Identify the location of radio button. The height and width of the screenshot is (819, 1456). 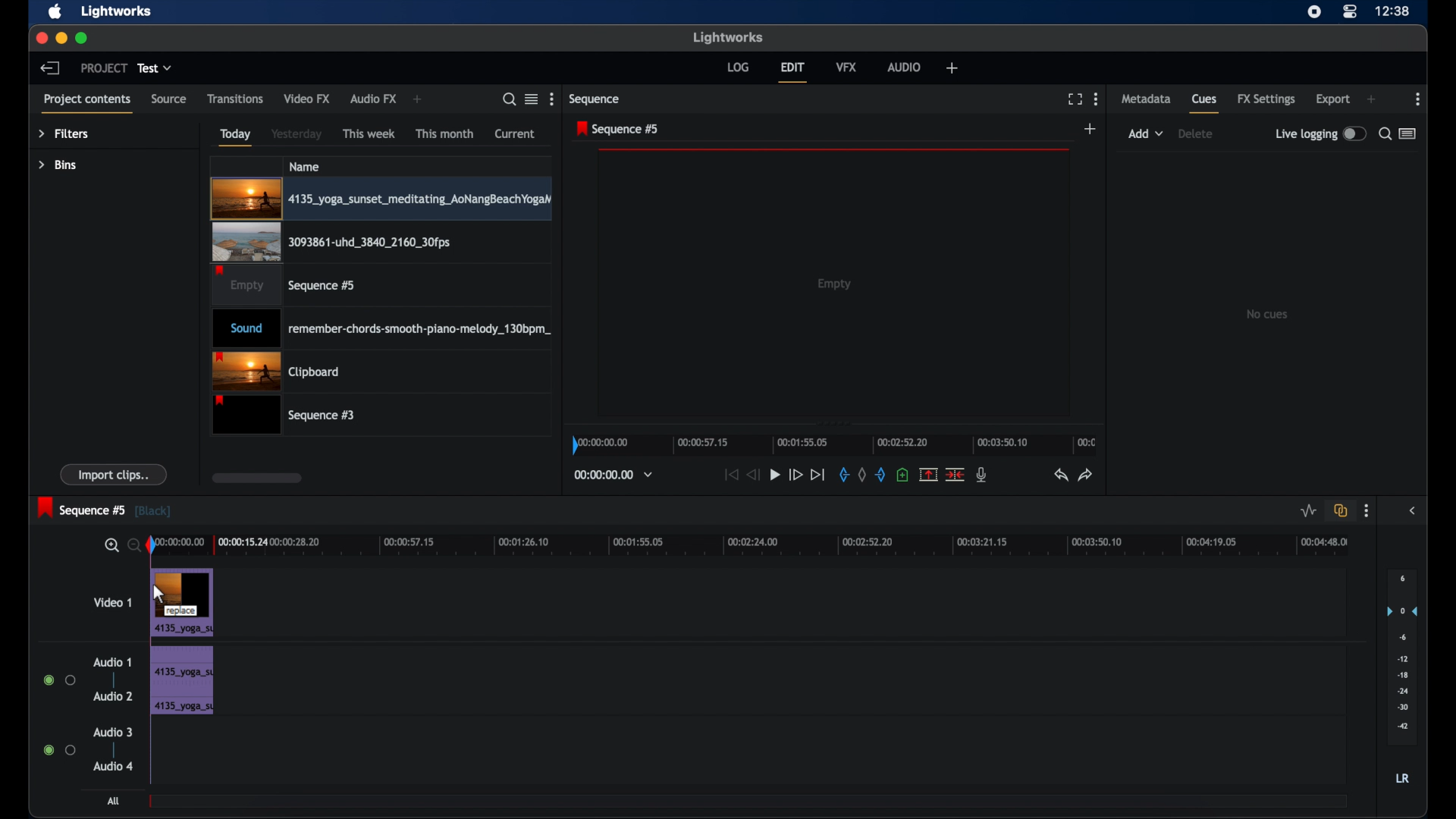
(58, 679).